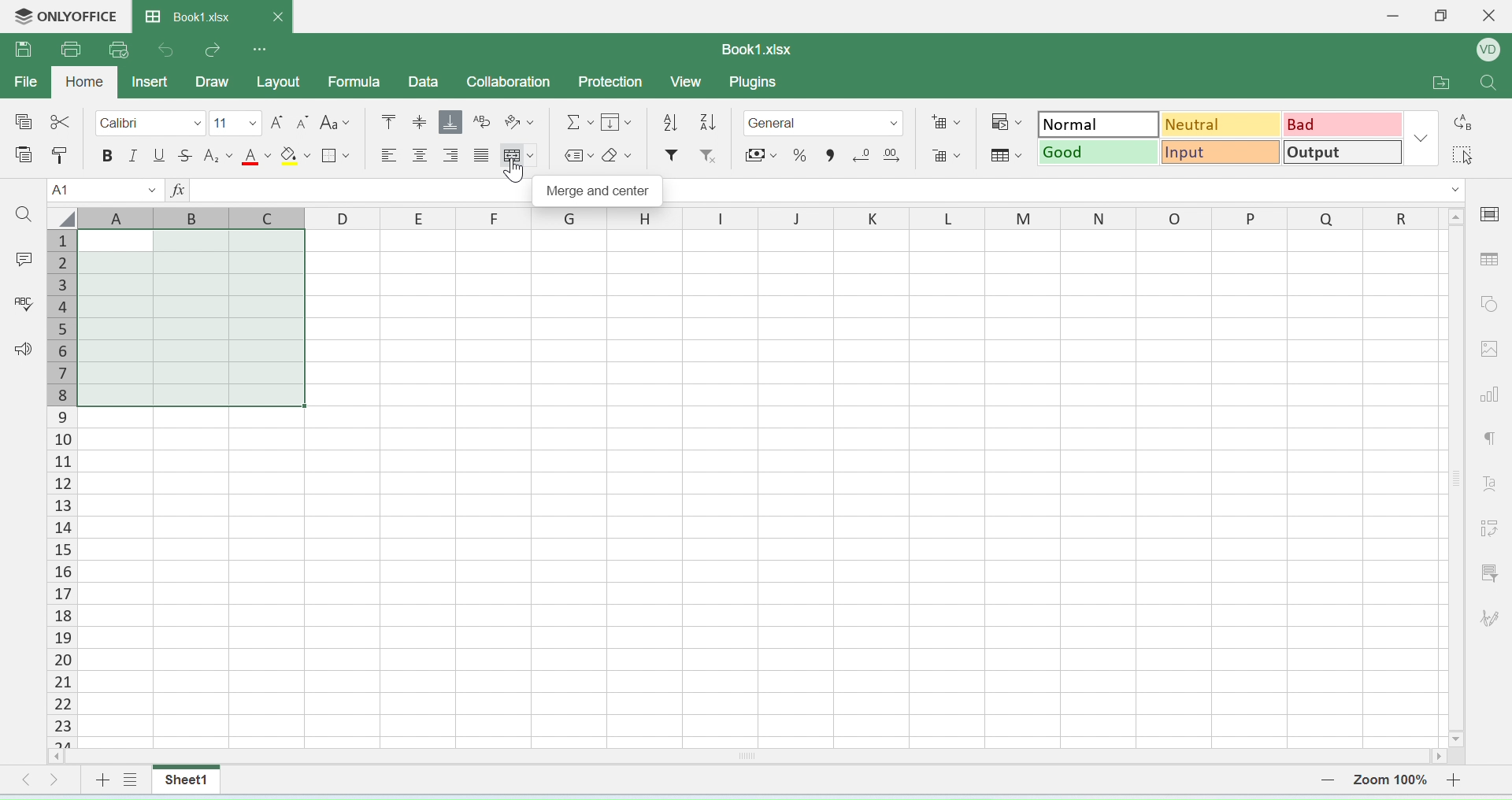 The height and width of the screenshot is (800, 1512). Describe the element at coordinates (60, 490) in the screenshot. I see `columns number` at that location.